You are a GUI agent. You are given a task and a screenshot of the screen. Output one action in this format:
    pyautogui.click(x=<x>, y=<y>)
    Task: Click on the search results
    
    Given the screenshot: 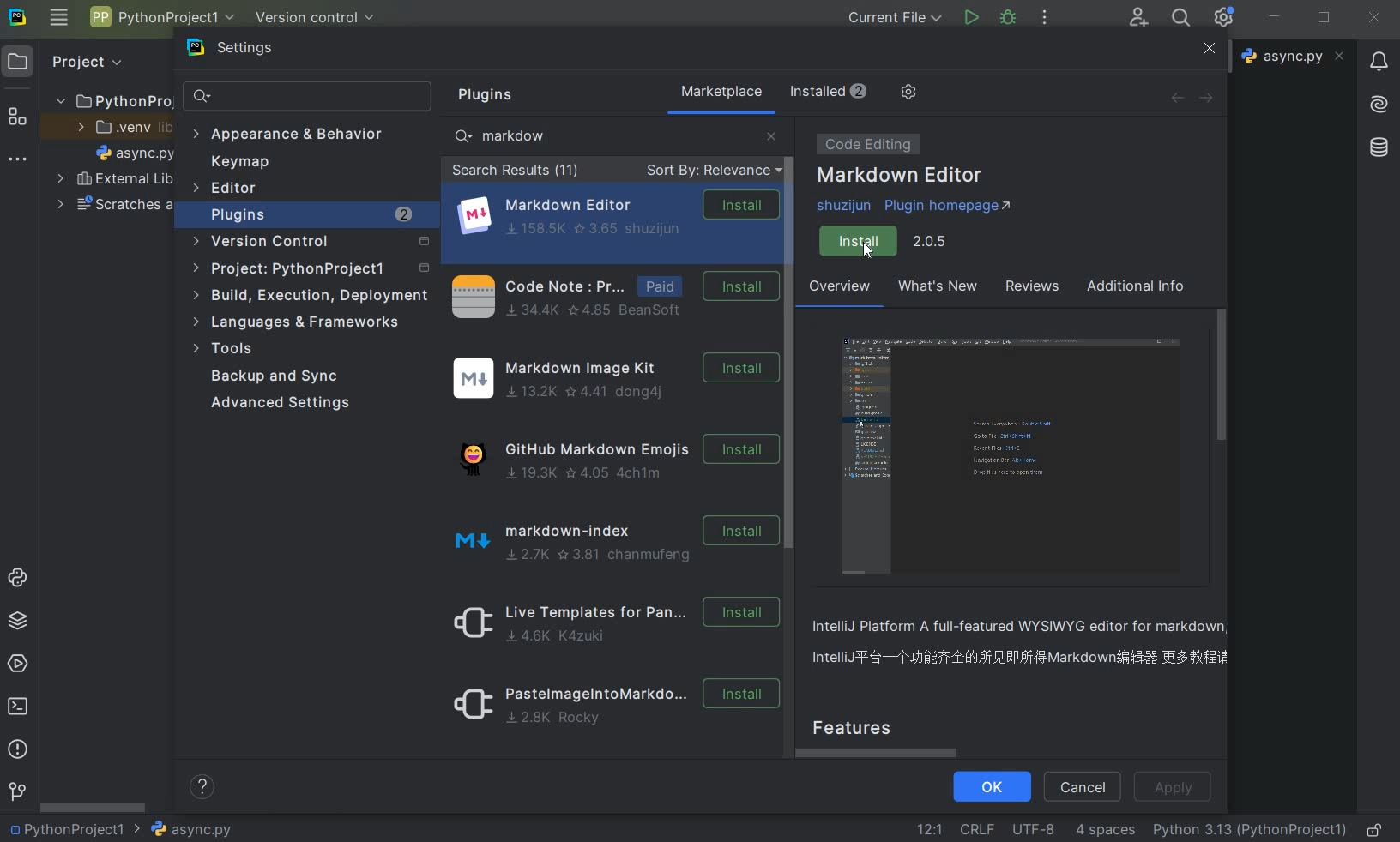 What is the action you would take?
    pyautogui.click(x=516, y=172)
    